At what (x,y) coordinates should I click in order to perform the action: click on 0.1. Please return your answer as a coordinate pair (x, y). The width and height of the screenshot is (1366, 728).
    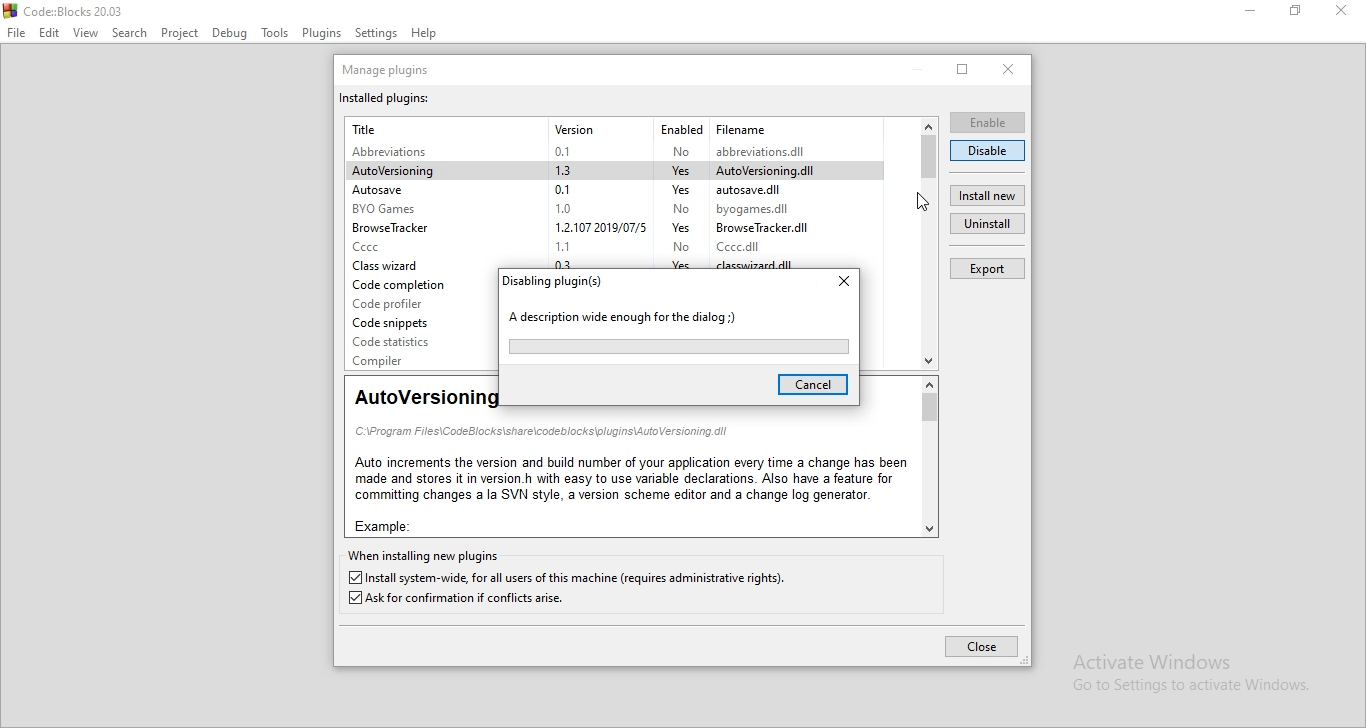
    Looking at the image, I should click on (563, 187).